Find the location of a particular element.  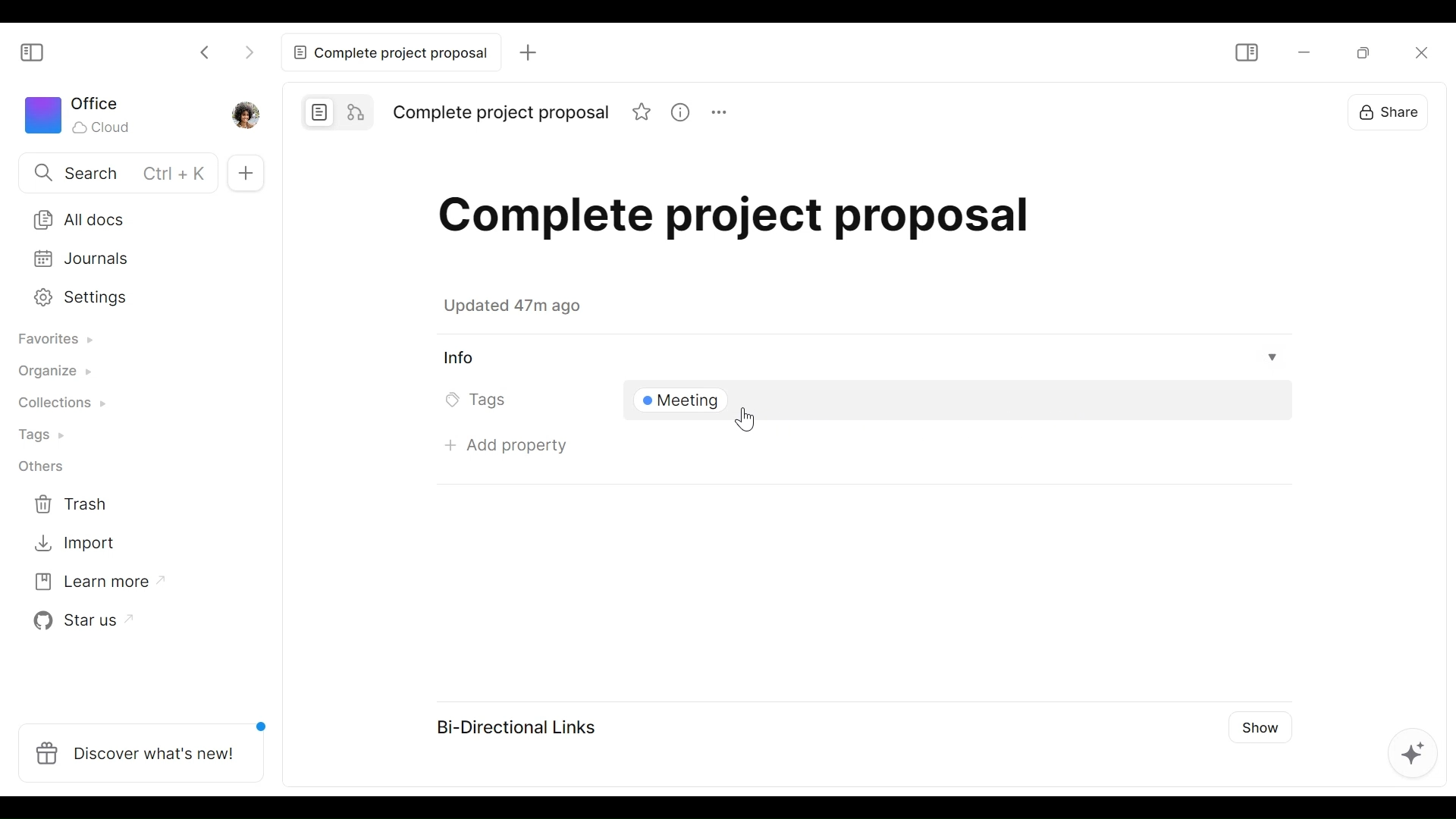

Worksapce is located at coordinates (85, 117).